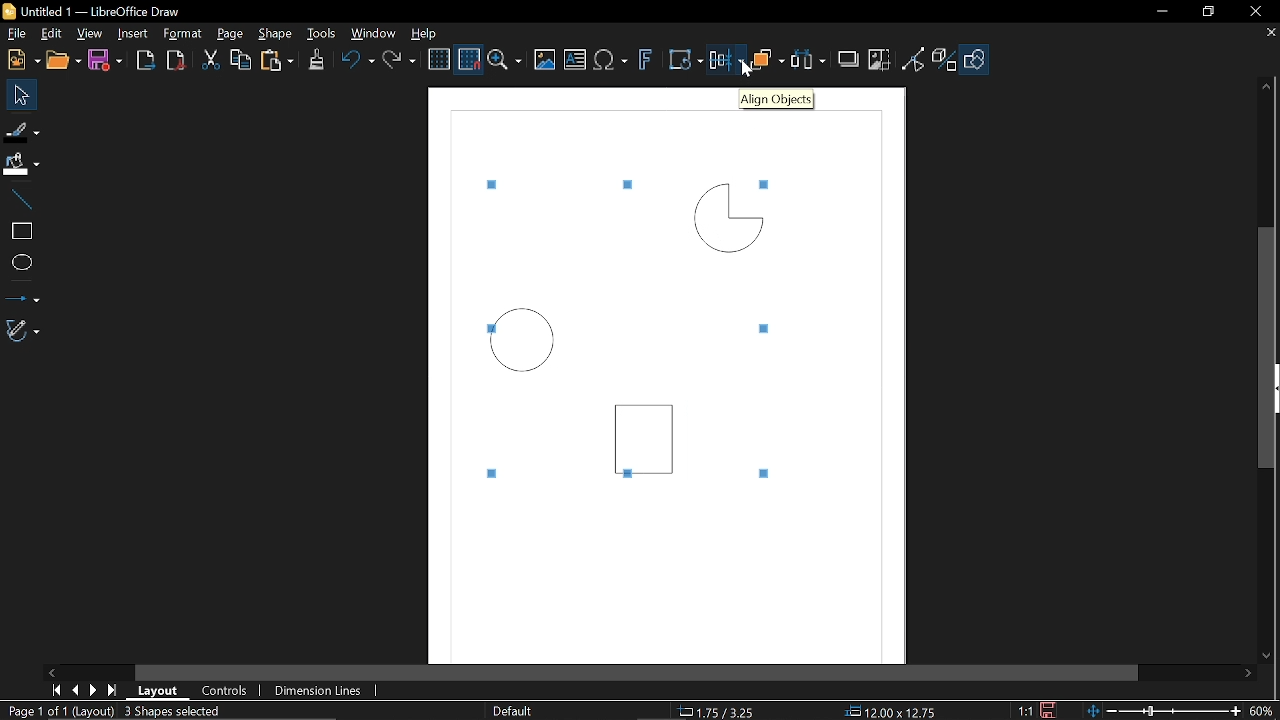  I want to click on New, so click(22, 61).